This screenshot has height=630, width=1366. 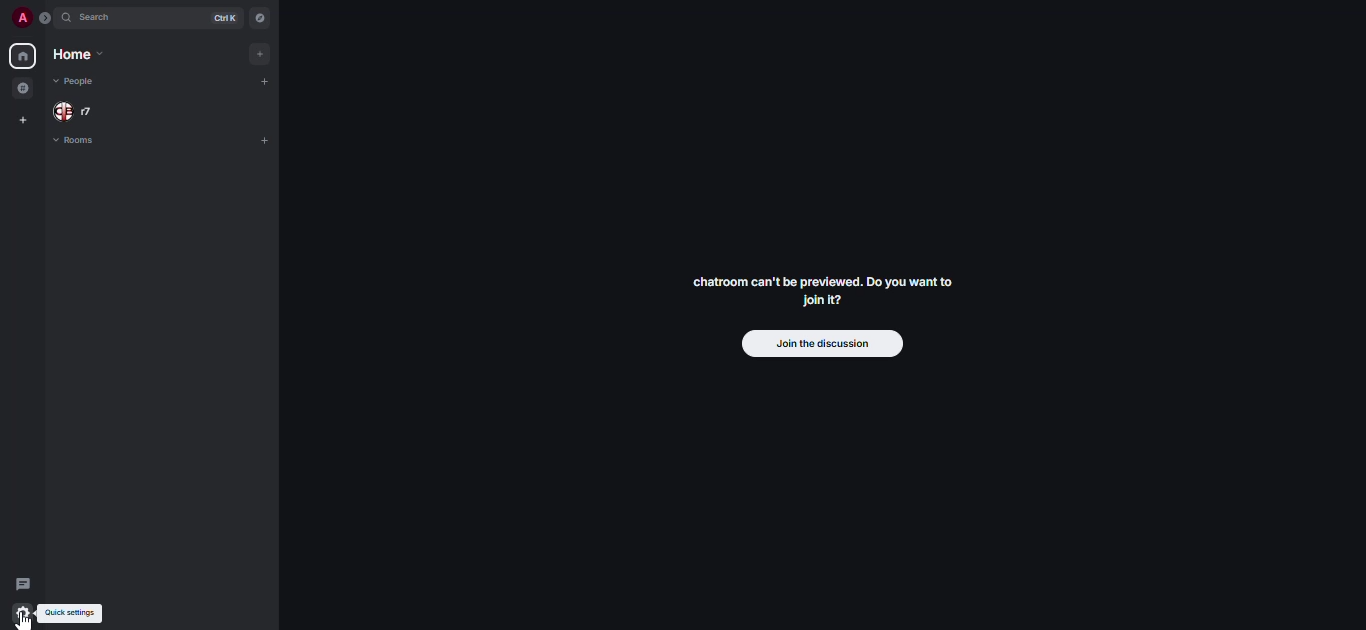 I want to click on home, so click(x=22, y=55).